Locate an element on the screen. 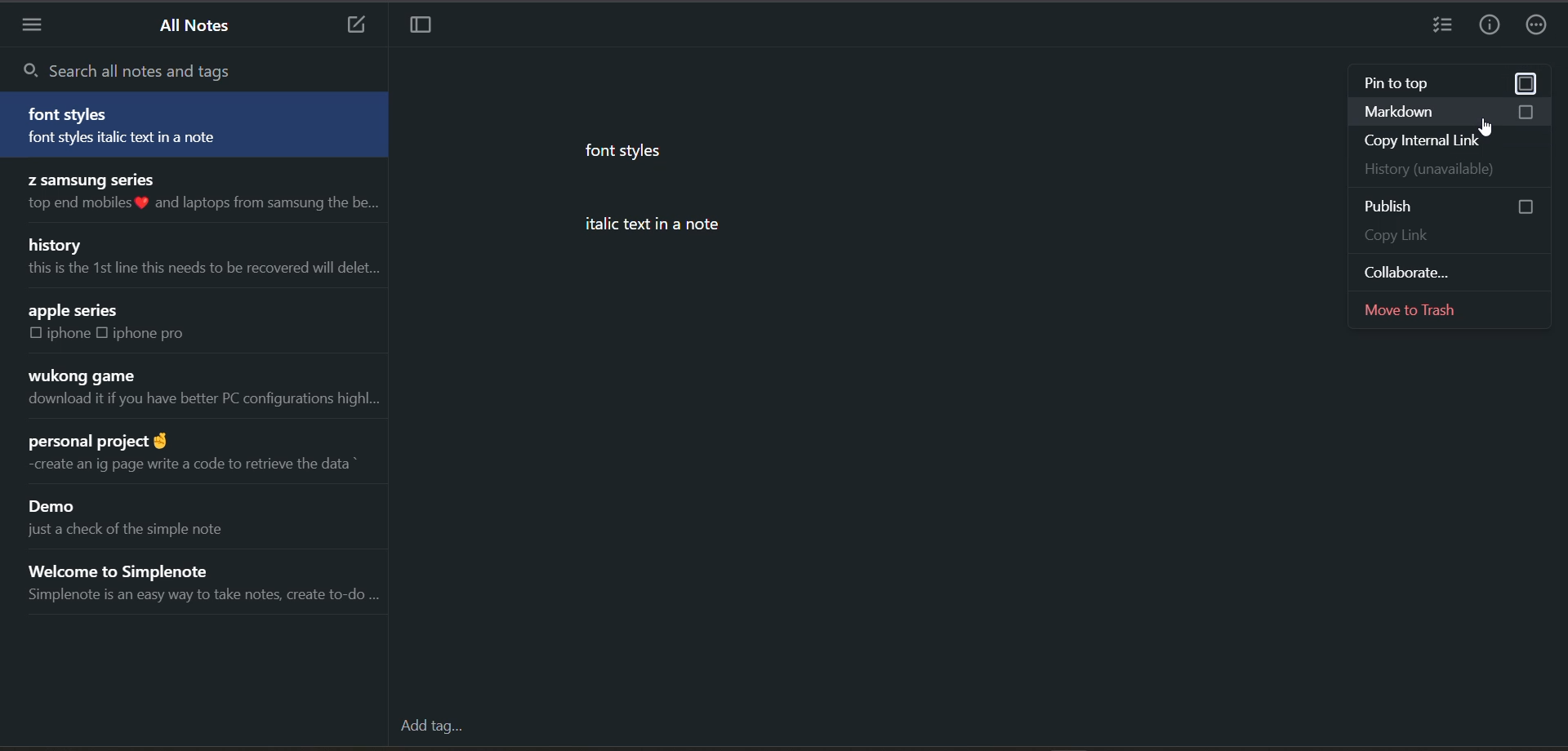 Image resolution: width=1568 pixels, height=751 pixels. add tag is located at coordinates (434, 725).